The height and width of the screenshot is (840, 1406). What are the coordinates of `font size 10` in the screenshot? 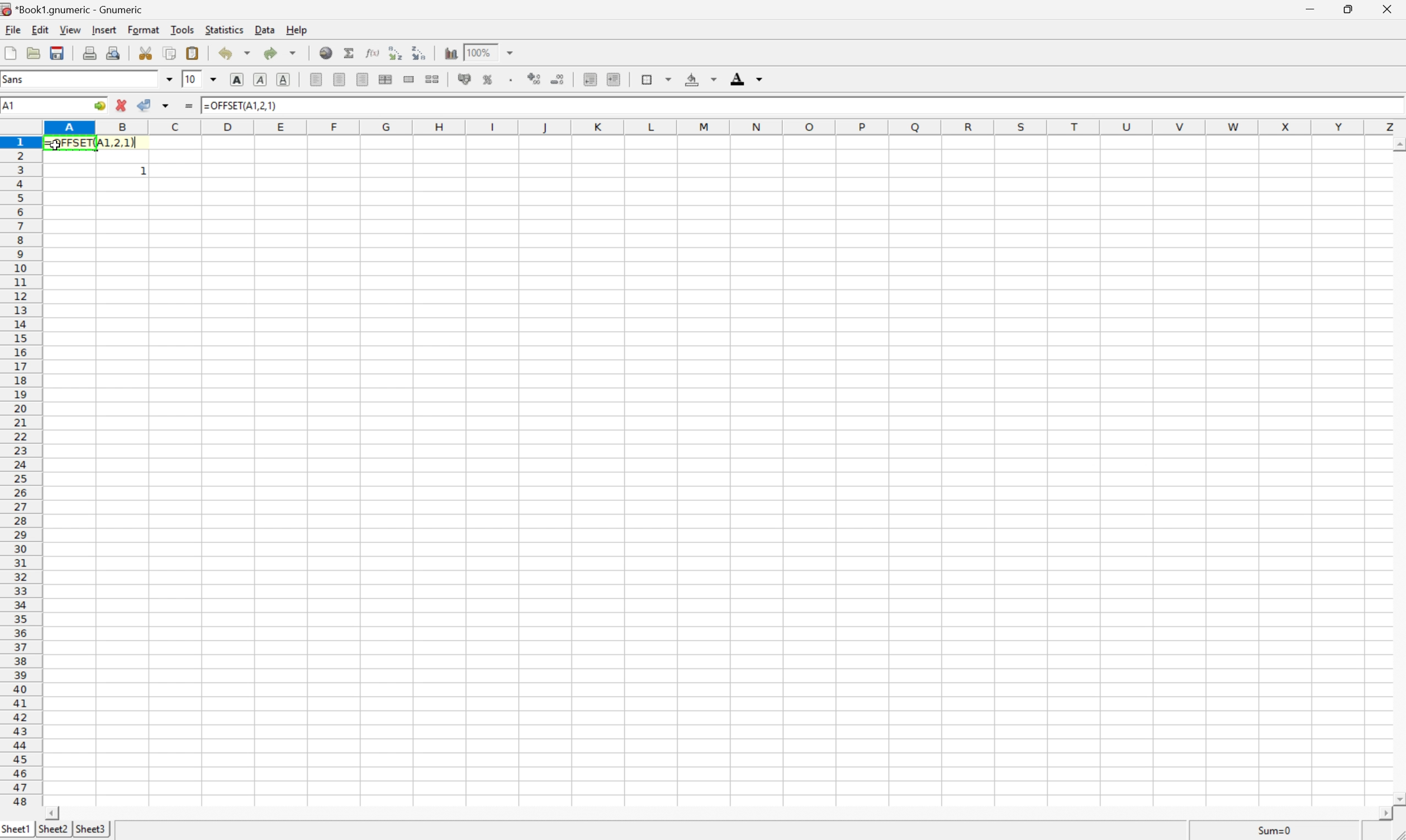 It's located at (202, 79).